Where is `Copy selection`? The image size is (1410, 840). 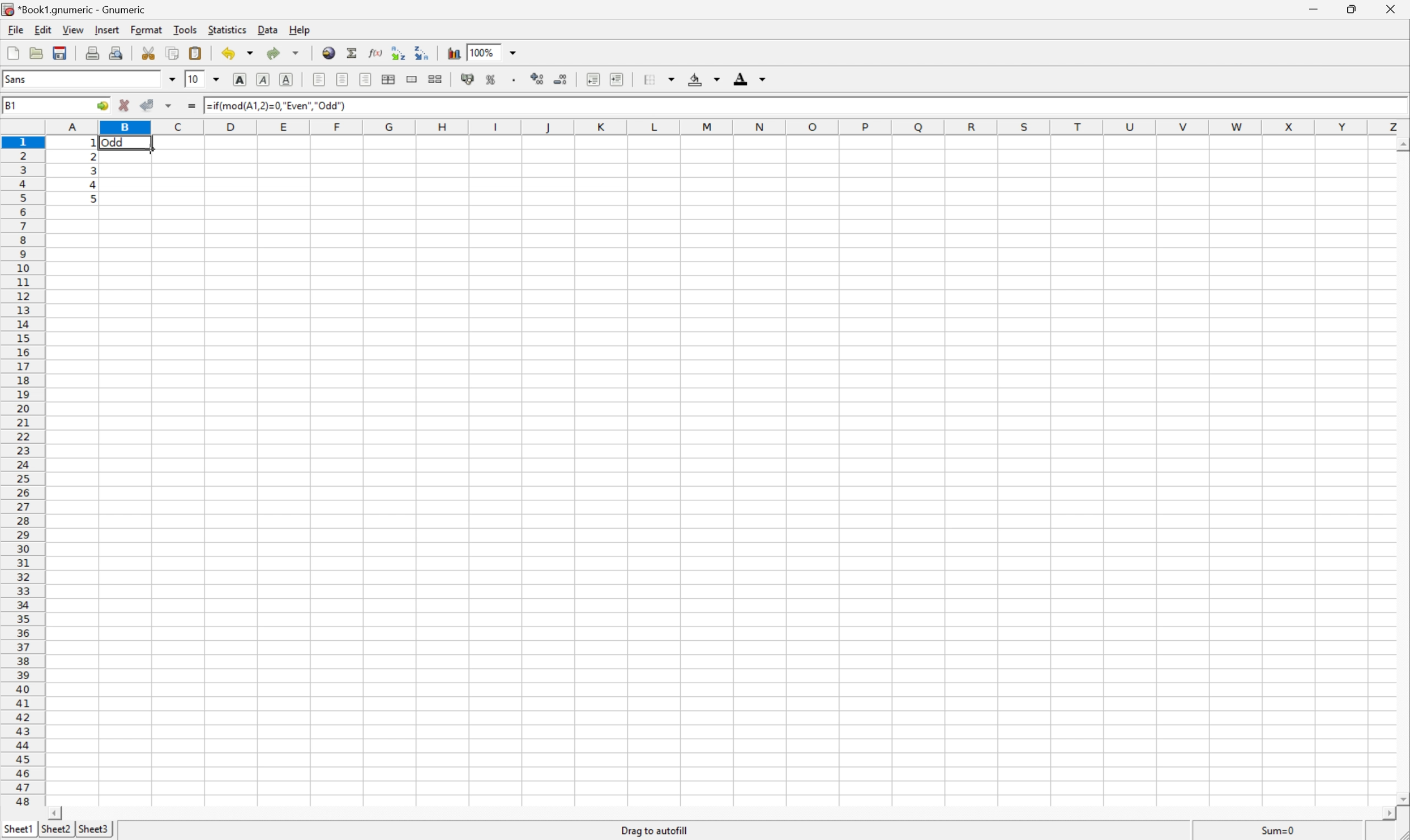 Copy selection is located at coordinates (172, 53).